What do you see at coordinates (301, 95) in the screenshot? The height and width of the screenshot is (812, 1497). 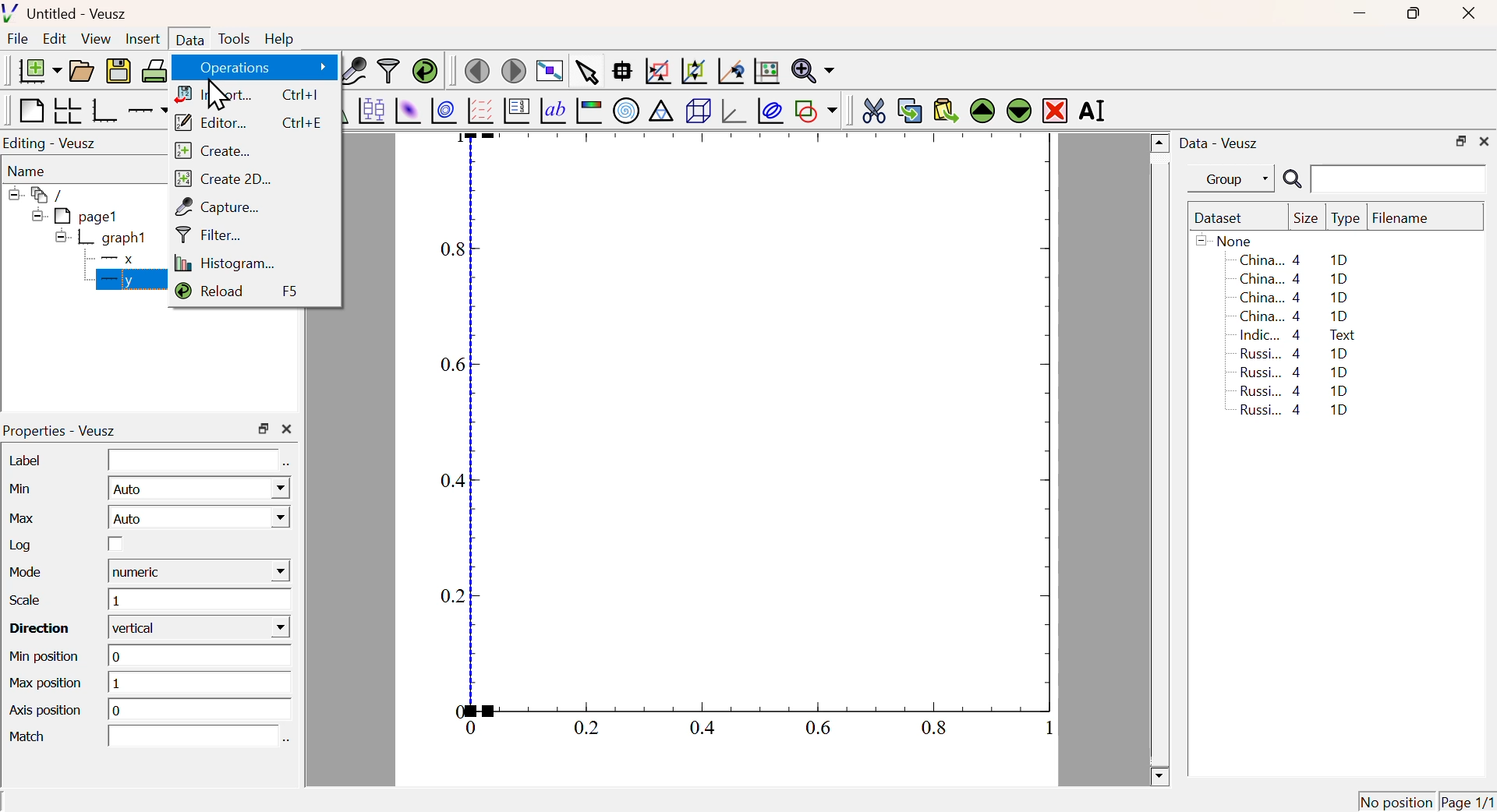 I see `Ctrl+l` at bounding box center [301, 95].